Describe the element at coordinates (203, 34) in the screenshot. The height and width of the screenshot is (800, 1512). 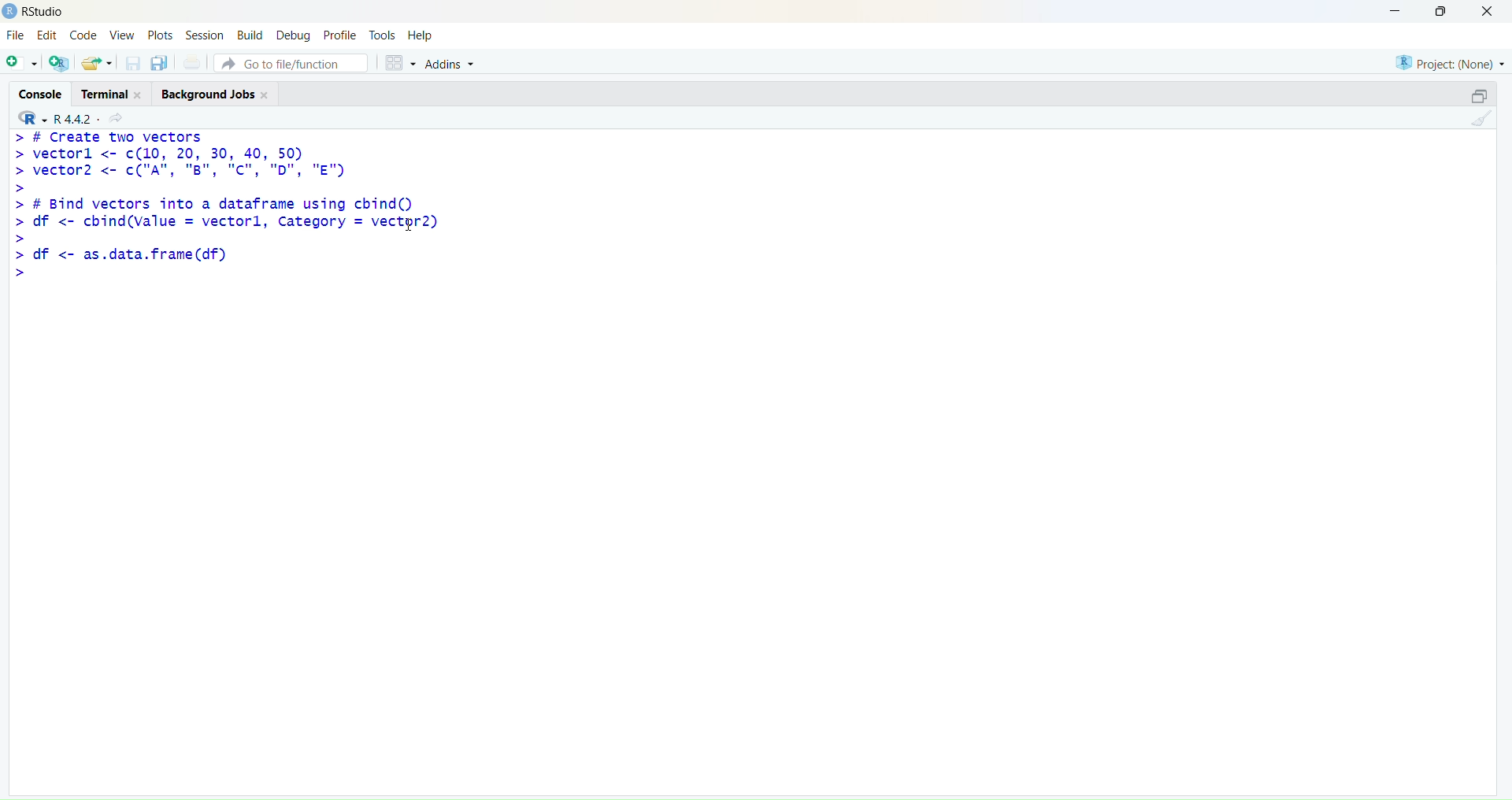
I see `Session` at that location.